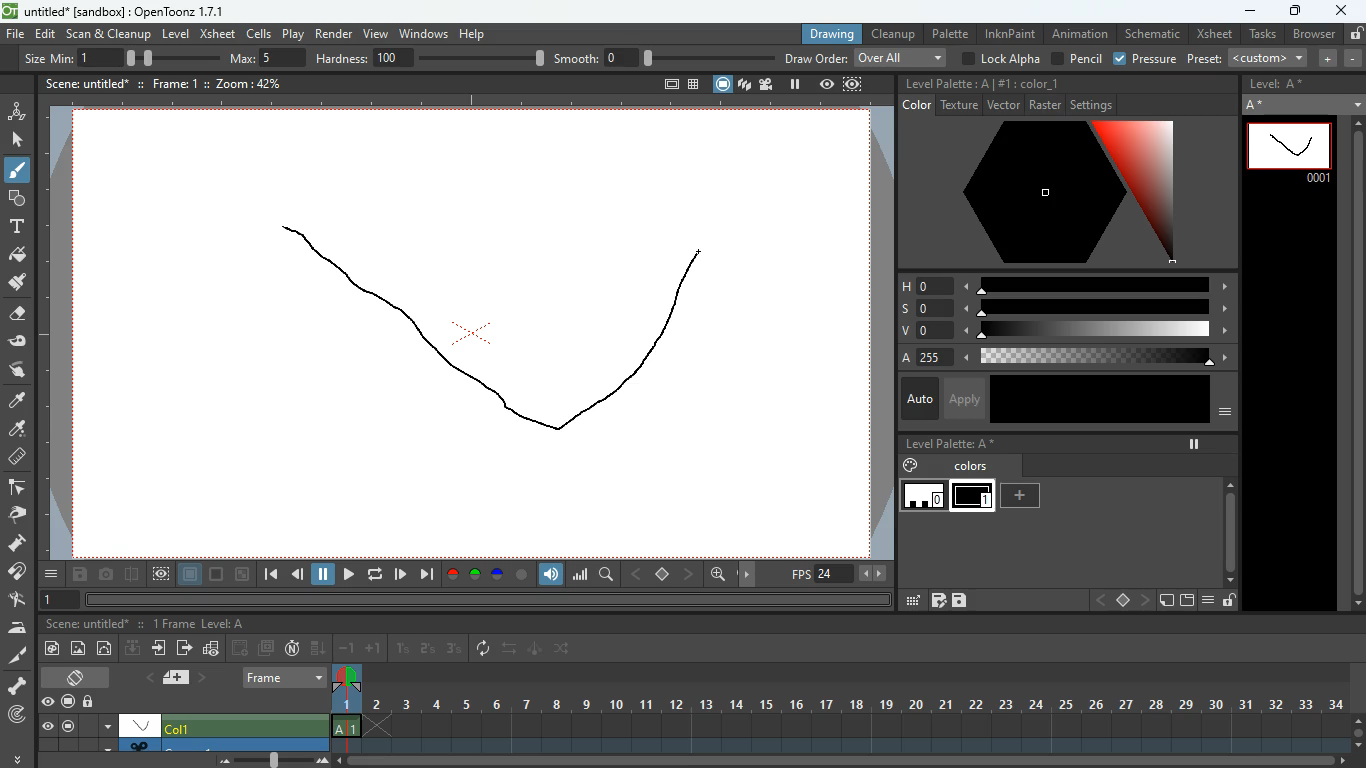 The height and width of the screenshot is (768, 1366). Describe the element at coordinates (1358, 730) in the screenshot. I see `scroll` at that location.